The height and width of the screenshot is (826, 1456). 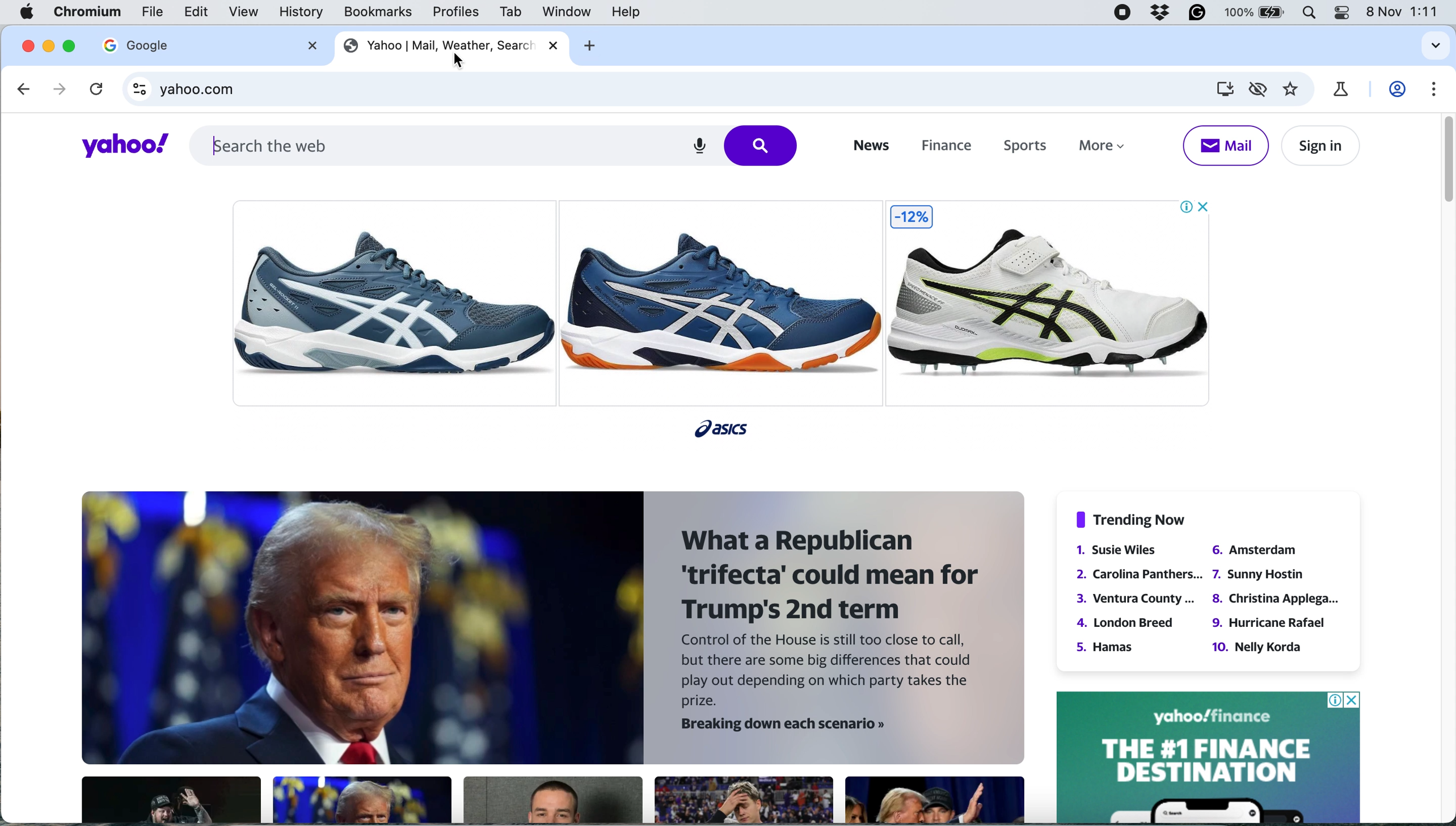 I want to click on third party cookies limited, so click(x=1260, y=88).